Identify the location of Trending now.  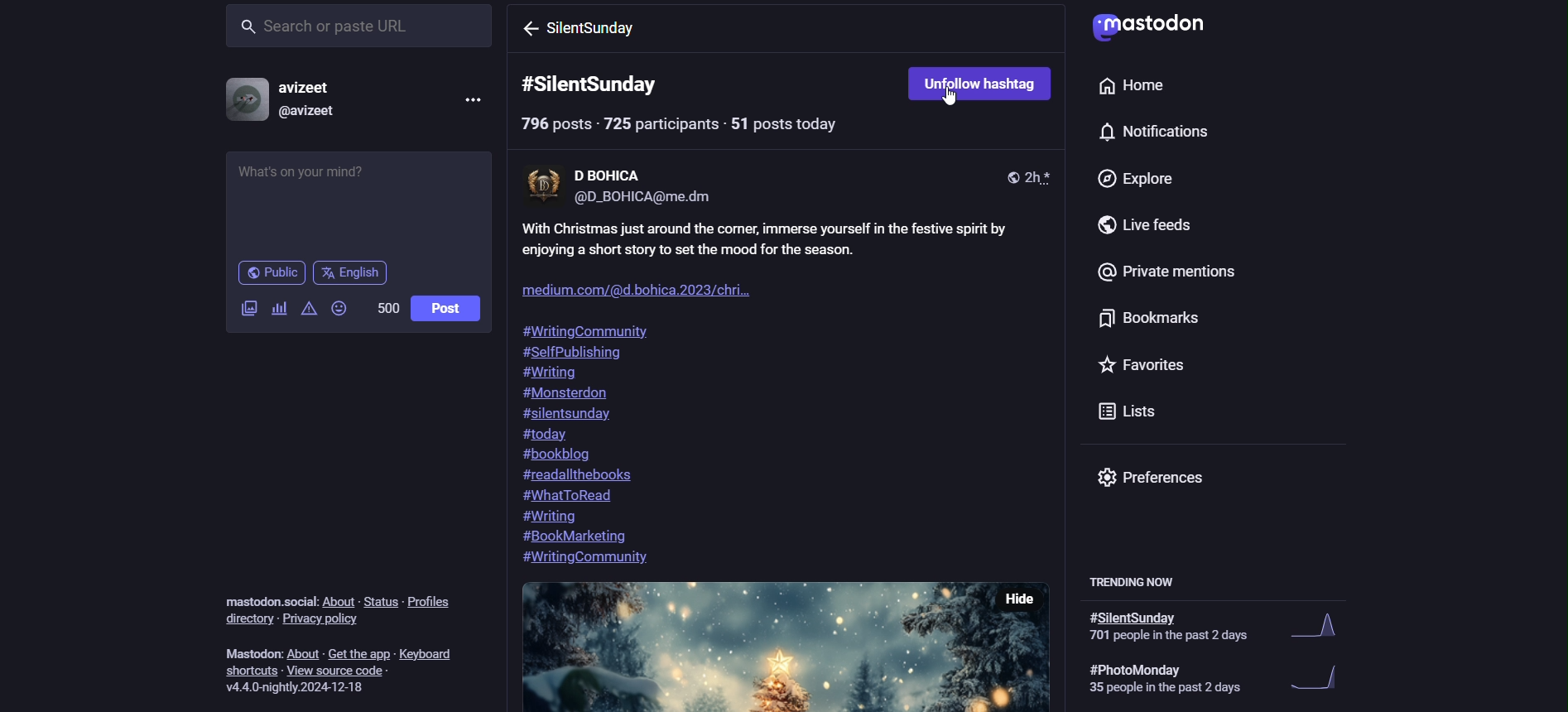
(1145, 579).